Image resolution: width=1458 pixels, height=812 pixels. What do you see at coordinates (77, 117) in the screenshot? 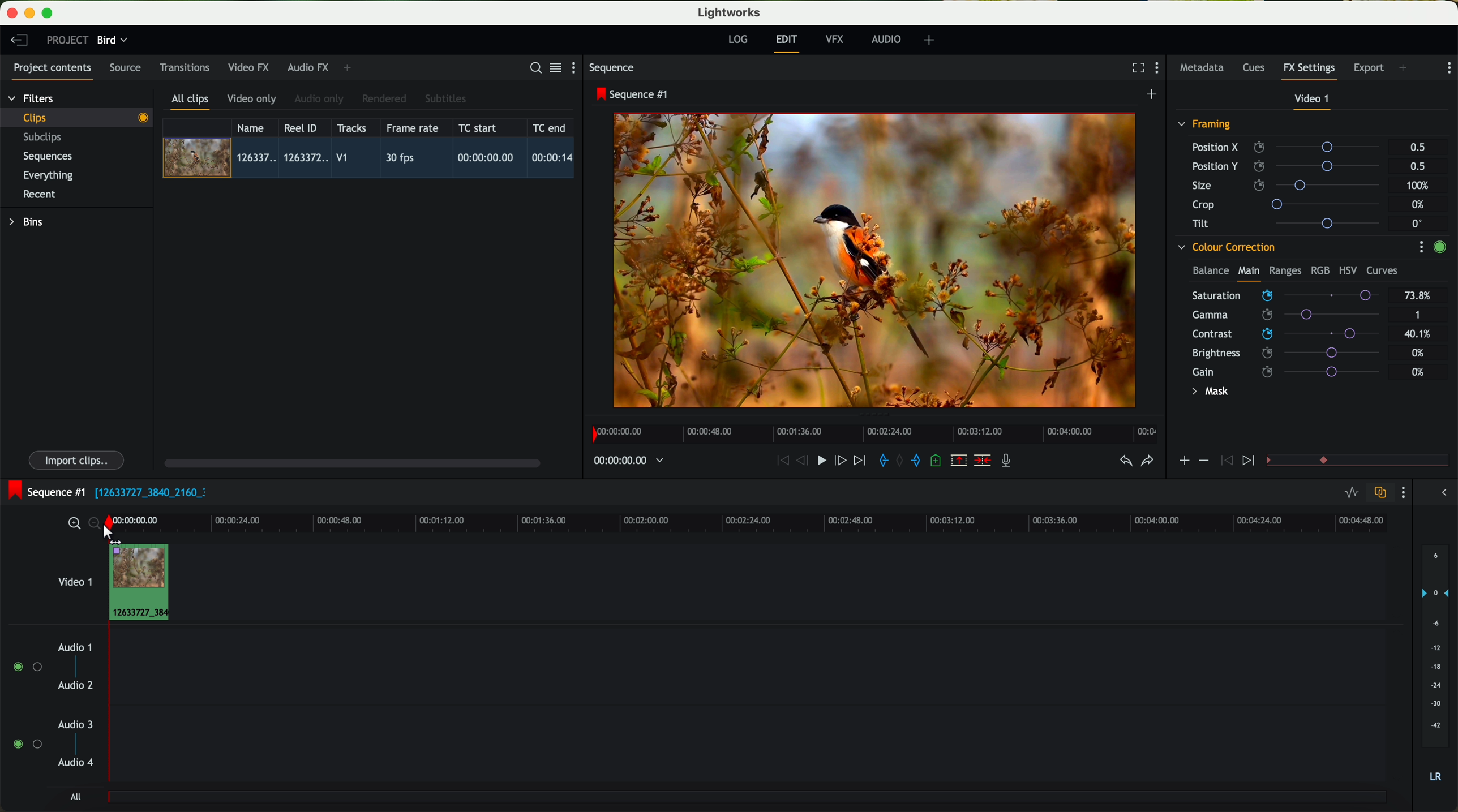
I see `clips` at bounding box center [77, 117].